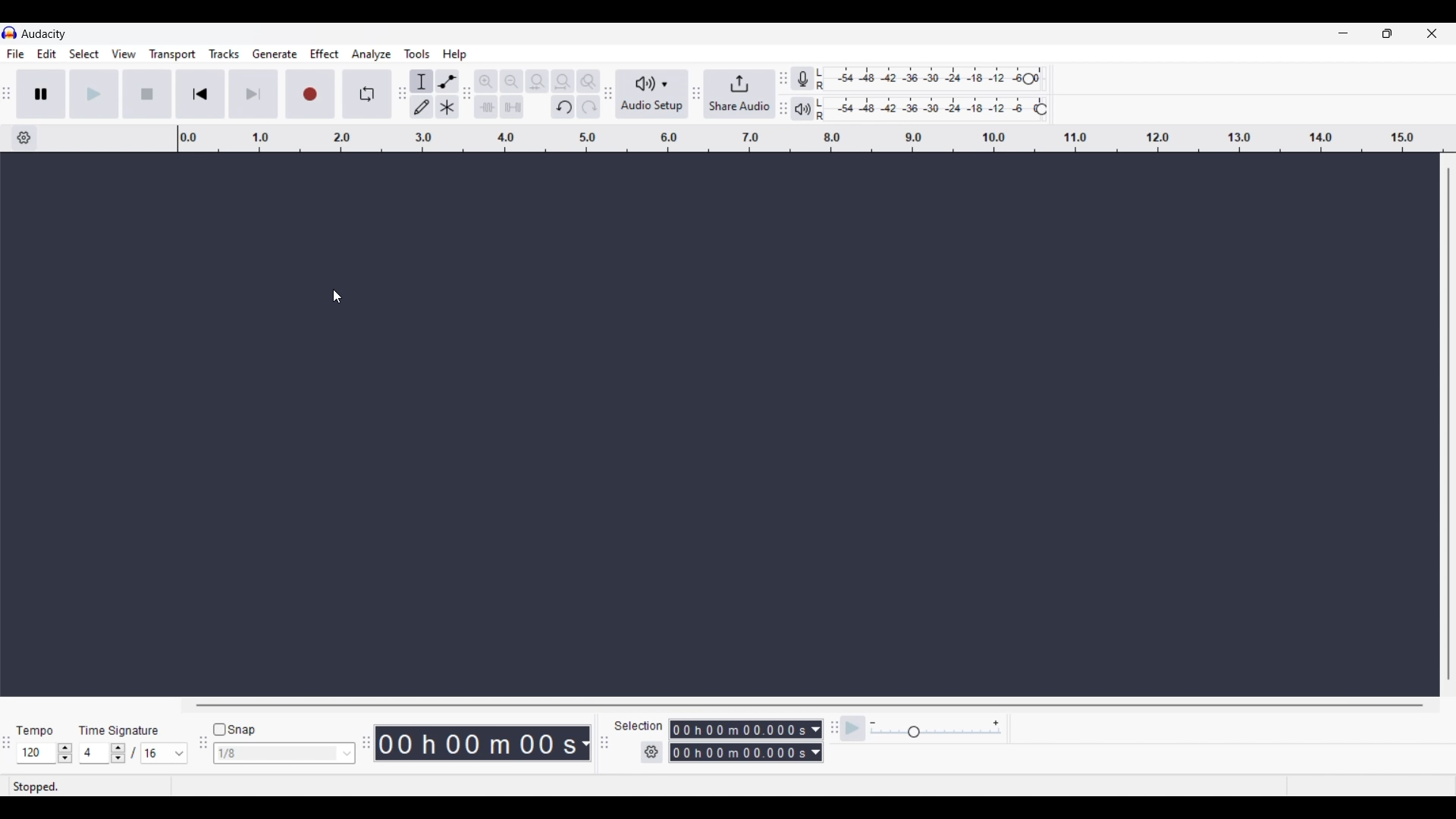  Describe the element at coordinates (337, 297) in the screenshot. I see `Cursor right clicking on audio track space` at that location.